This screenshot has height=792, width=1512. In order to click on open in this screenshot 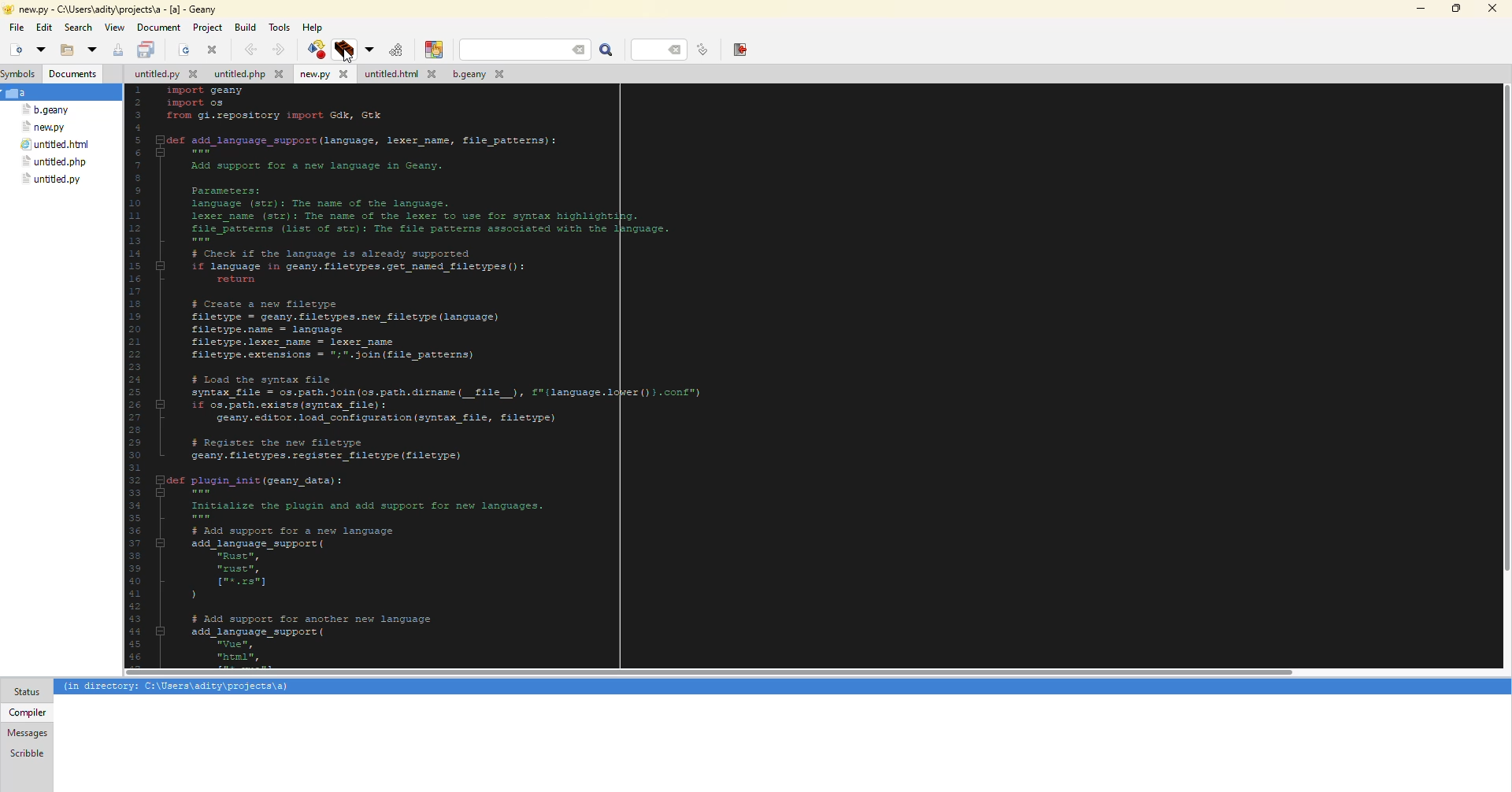, I will do `click(184, 50)`.